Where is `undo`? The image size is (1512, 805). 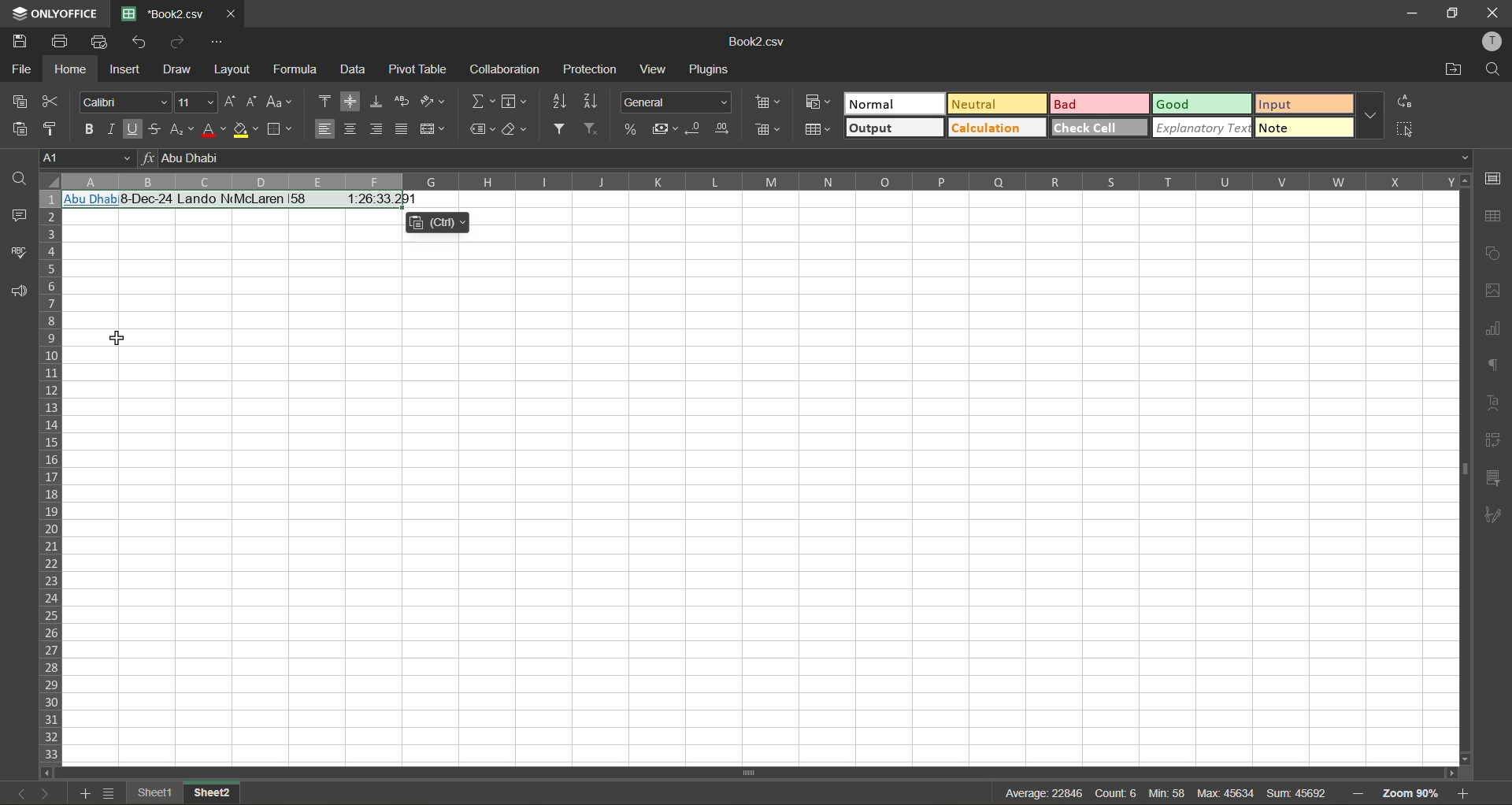
undo is located at coordinates (139, 42).